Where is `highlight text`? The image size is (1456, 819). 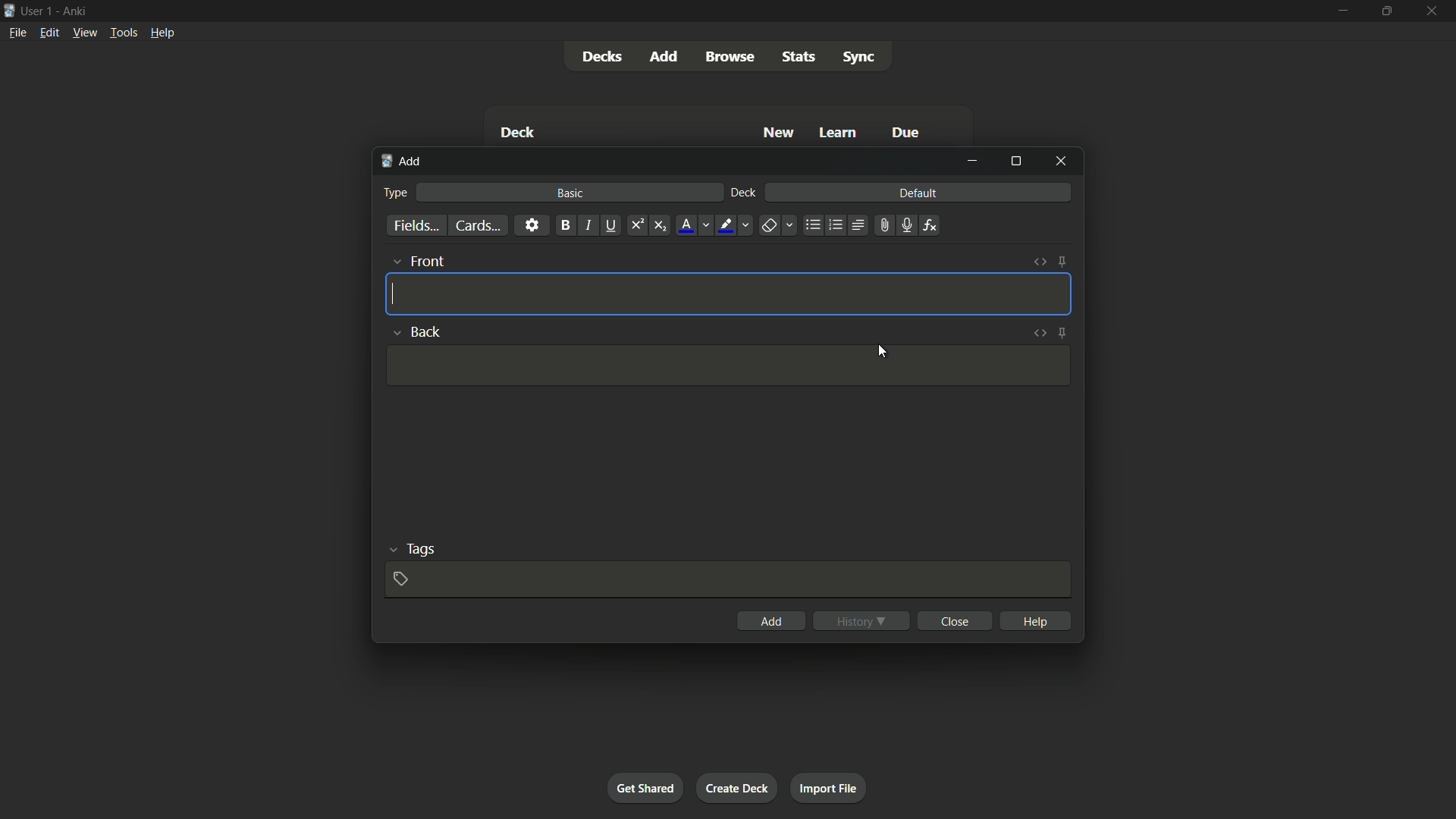 highlight text is located at coordinates (736, 226).